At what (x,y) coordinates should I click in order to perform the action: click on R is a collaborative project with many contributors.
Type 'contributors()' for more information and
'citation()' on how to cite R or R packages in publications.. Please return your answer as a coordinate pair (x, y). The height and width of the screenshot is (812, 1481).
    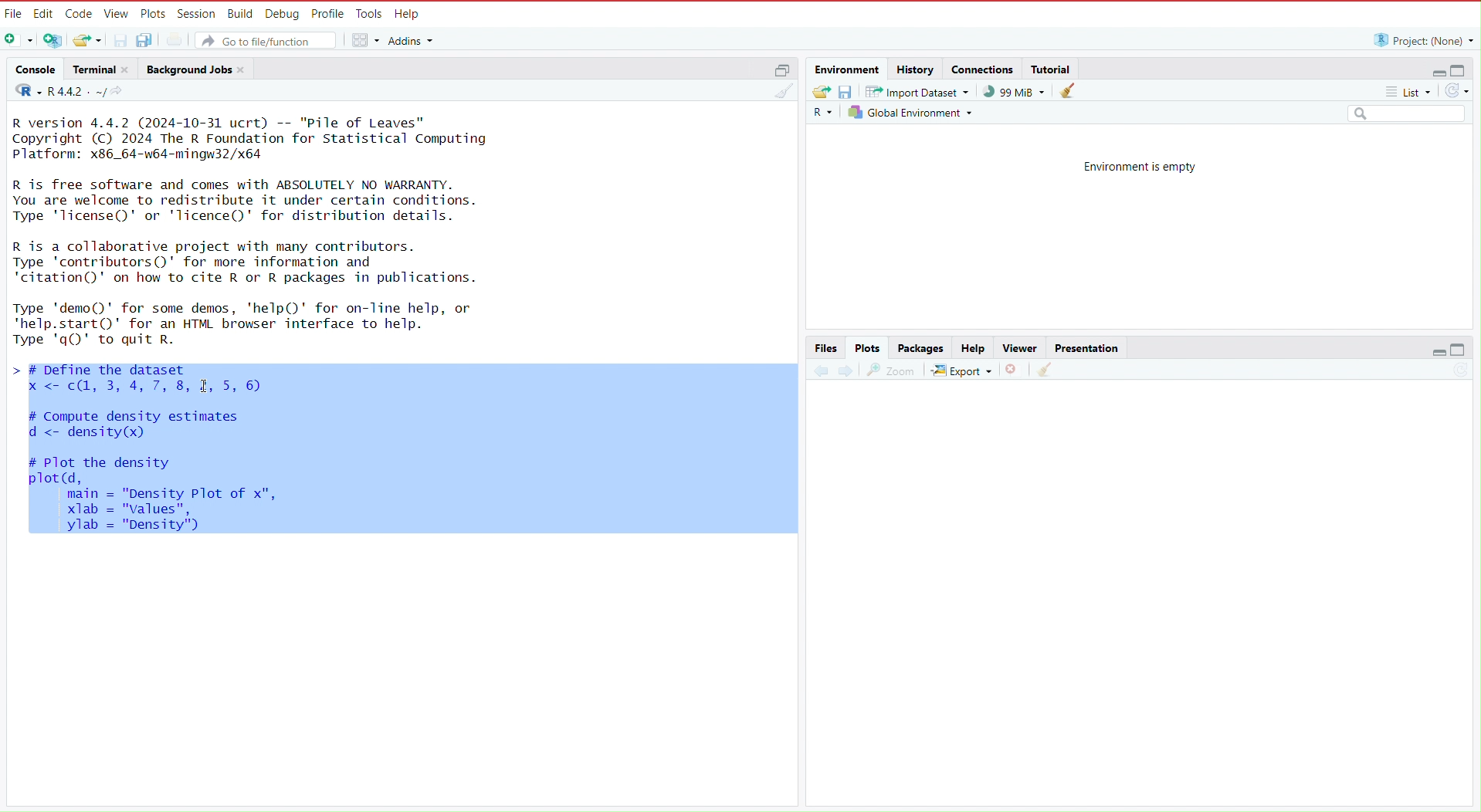
    Looking at the image, I should click on (256, 262).